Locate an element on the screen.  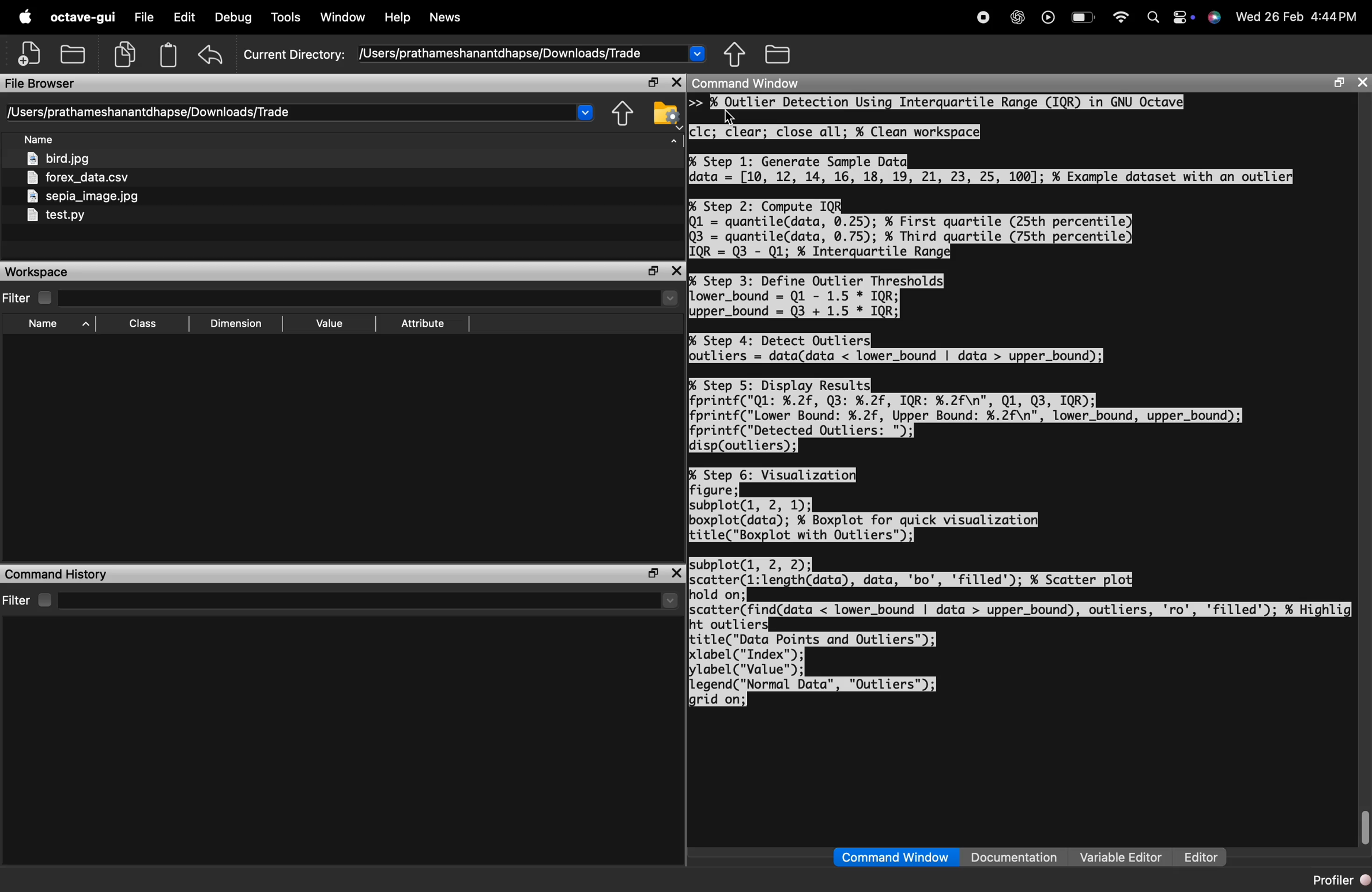
[Users/prathameshanantdhapse/Downloads/Trade is located at coordinates (151, 112).